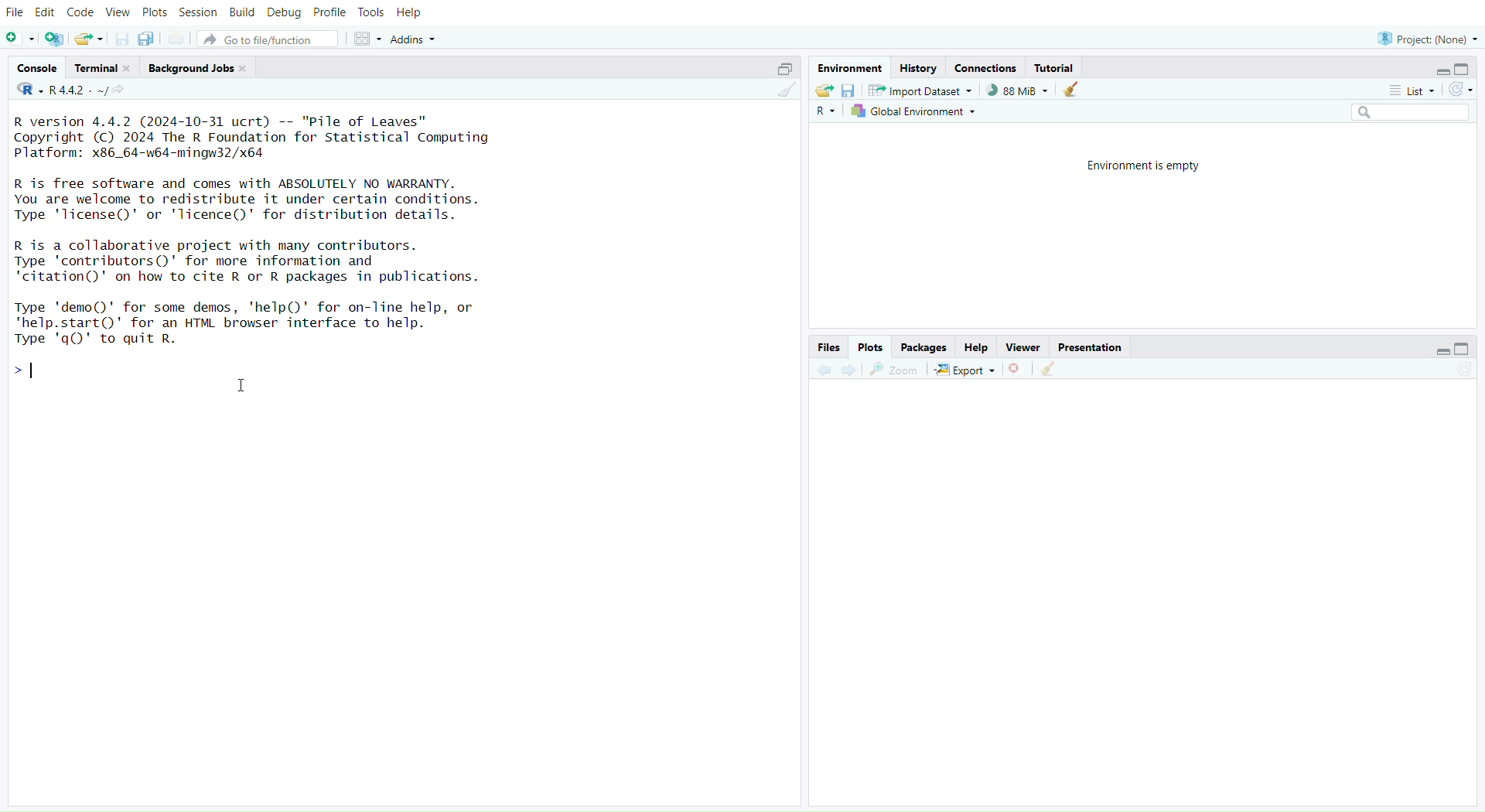 The image size is (1485, 812). What do you see at coordinates (1139, 168) in the screenshot?
I see `environment is empty` at bounding box center [1139, 168].